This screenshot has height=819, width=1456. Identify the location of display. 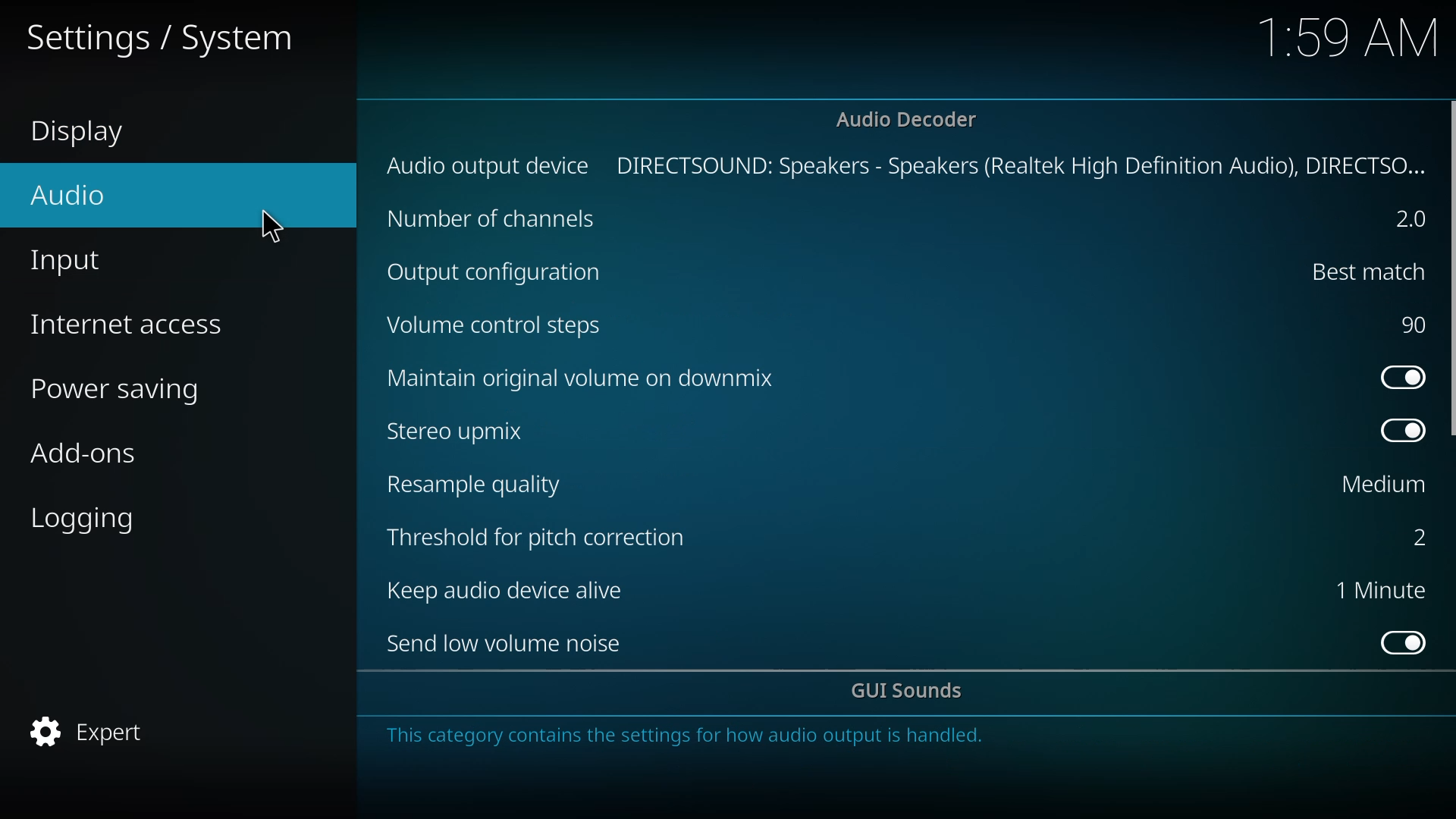
(83, 133).